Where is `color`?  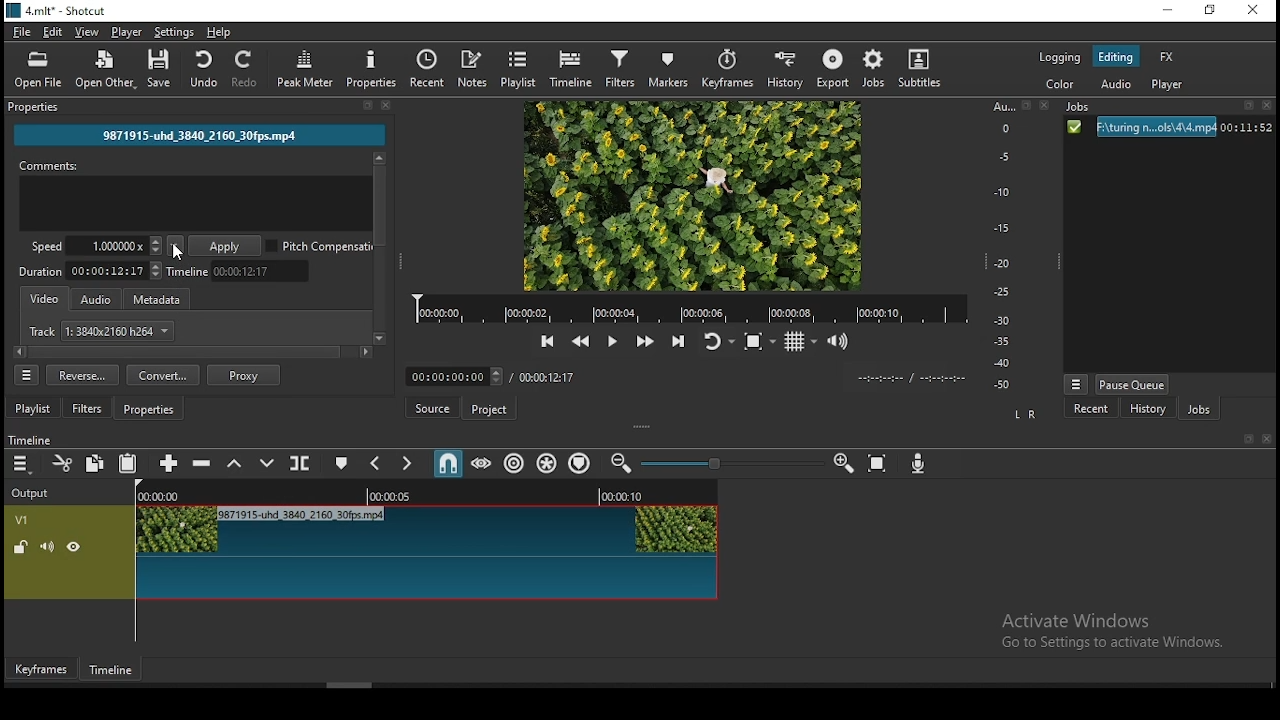
color is located at coordinates (1062, 85).